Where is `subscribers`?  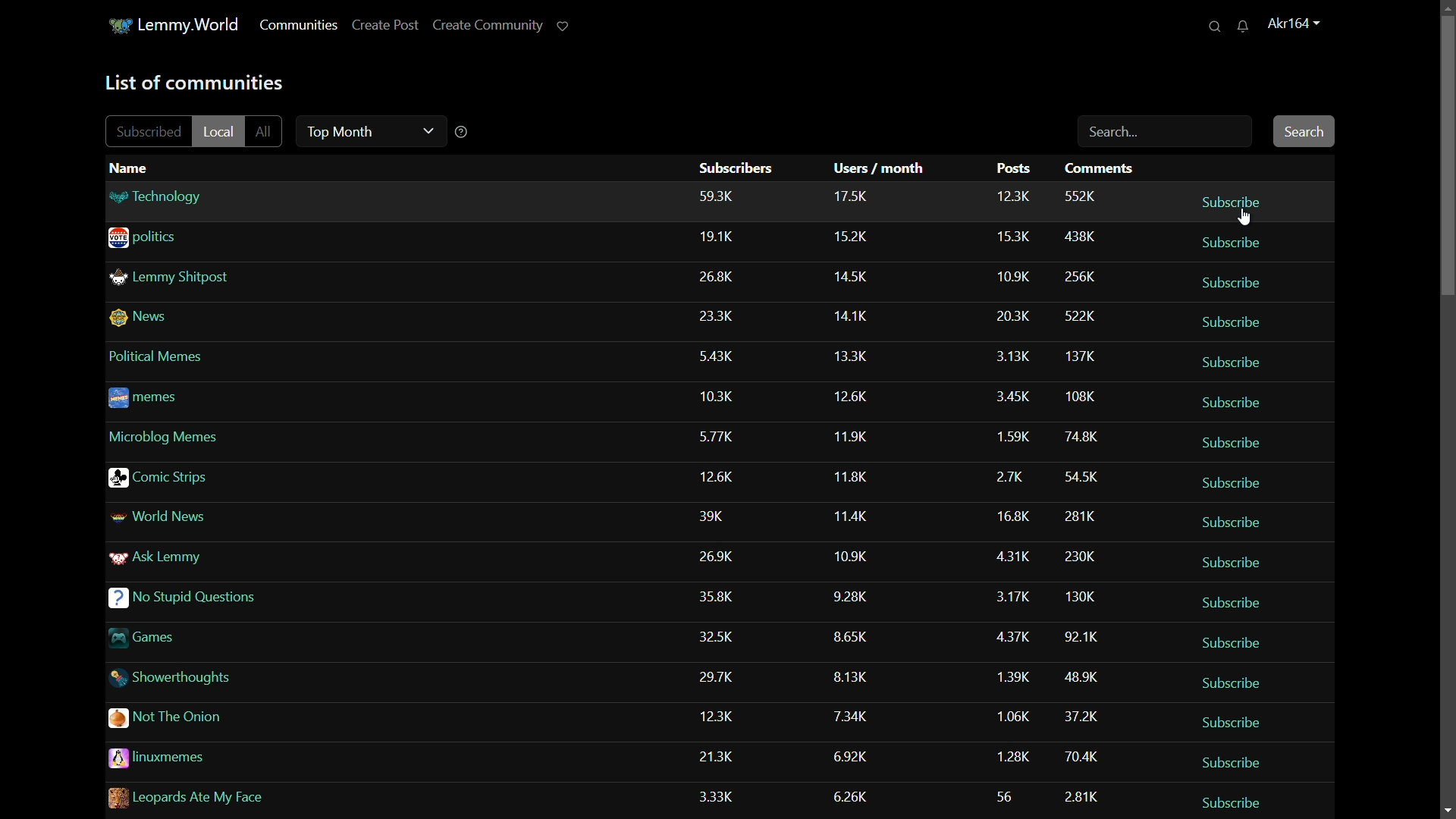 subscribers is located at coordinates (736, 168).